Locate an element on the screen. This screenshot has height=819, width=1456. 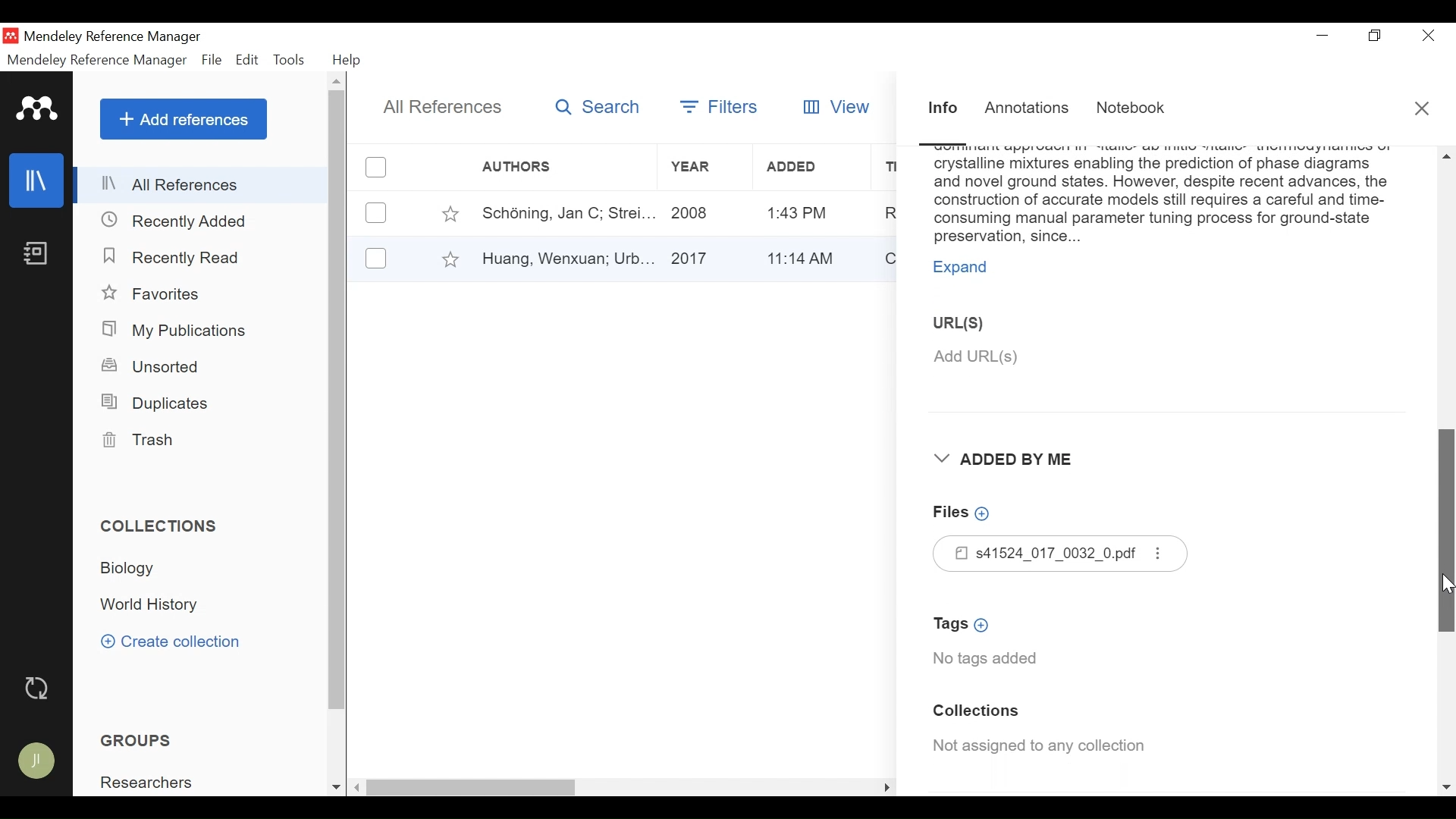
Scroll Right is located at coordinates (887, 787).